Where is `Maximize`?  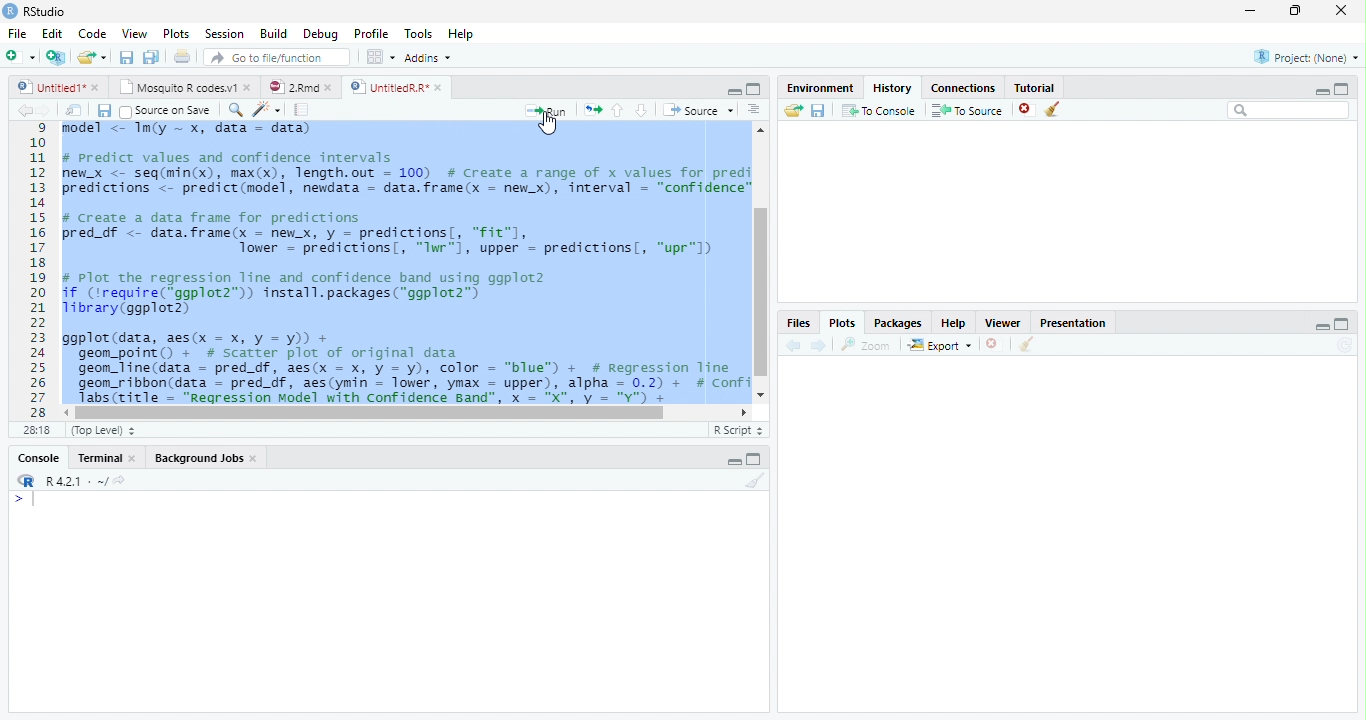 Maximize is located at coordinates (1340, 325).